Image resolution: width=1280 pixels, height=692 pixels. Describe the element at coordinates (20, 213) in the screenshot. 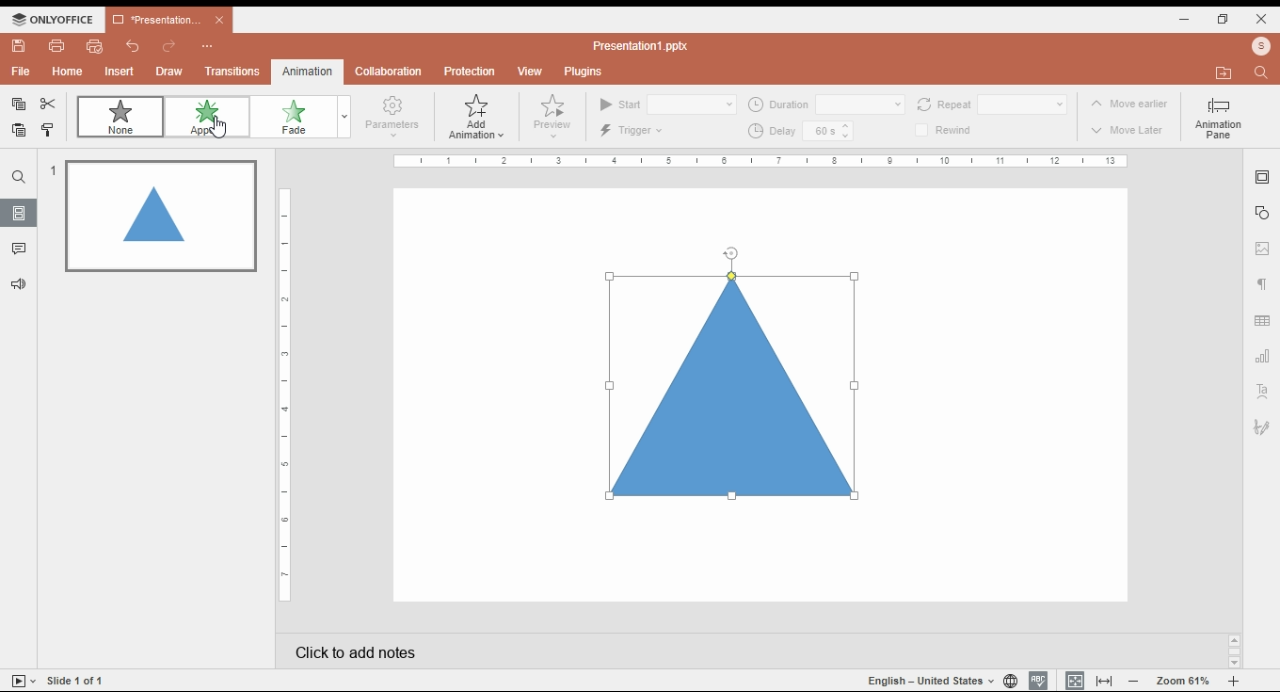

I see `slides` at that location.